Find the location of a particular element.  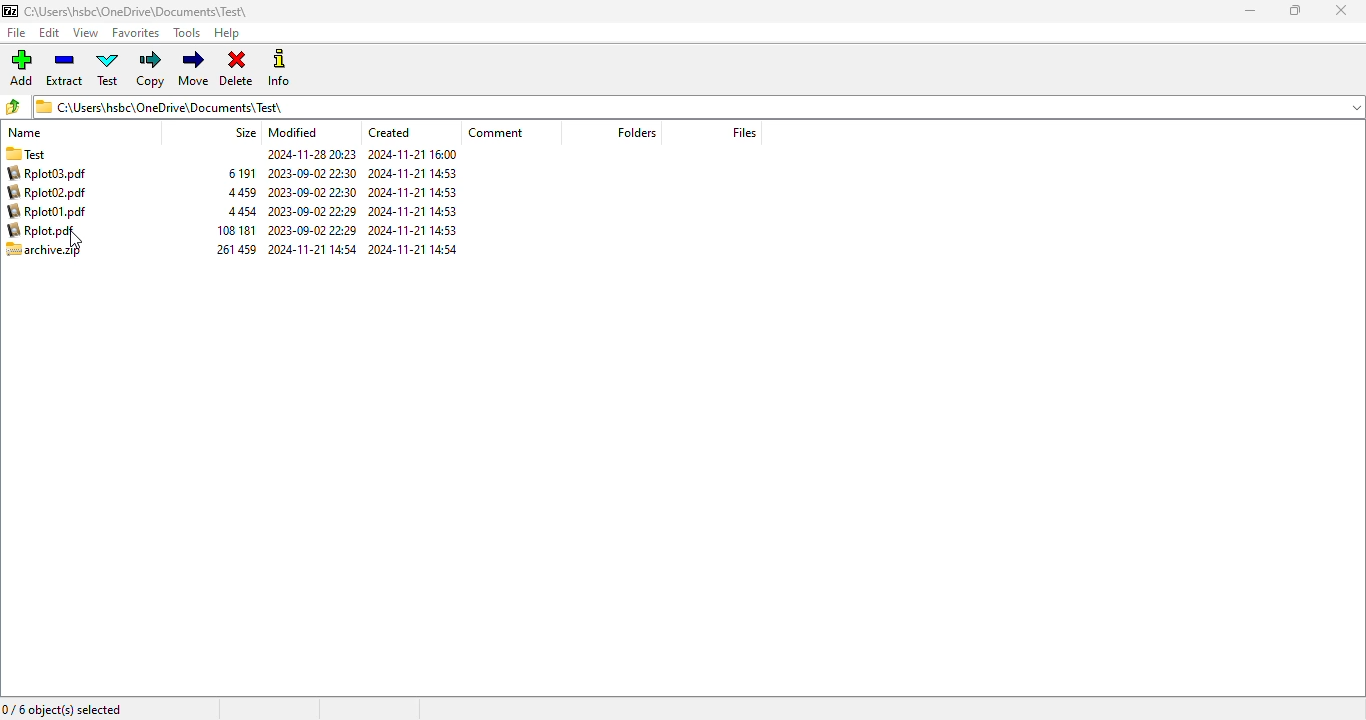

add is located at coordinates (21, 67).